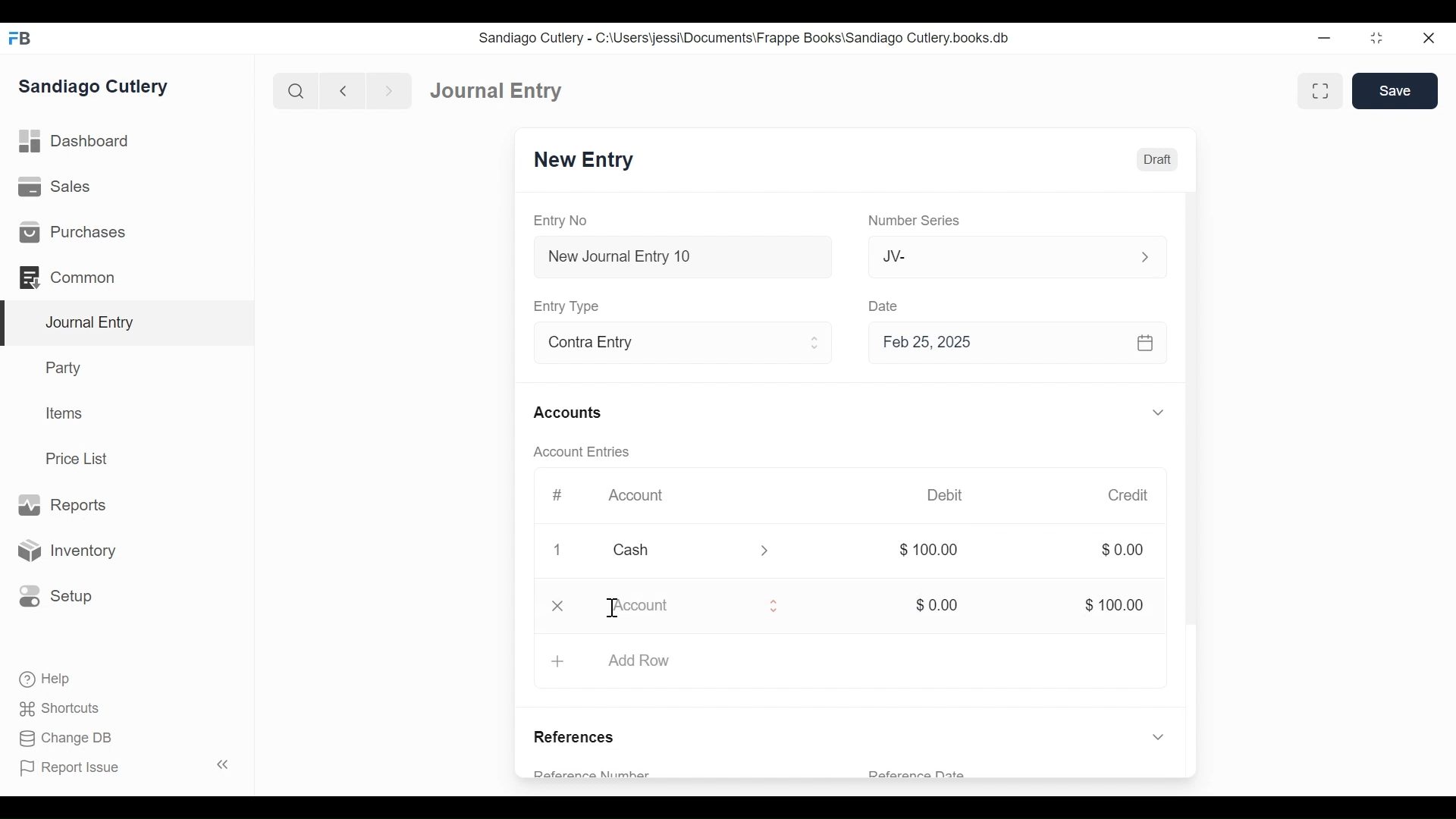  I want to click on Expand, so click(1158, 413).